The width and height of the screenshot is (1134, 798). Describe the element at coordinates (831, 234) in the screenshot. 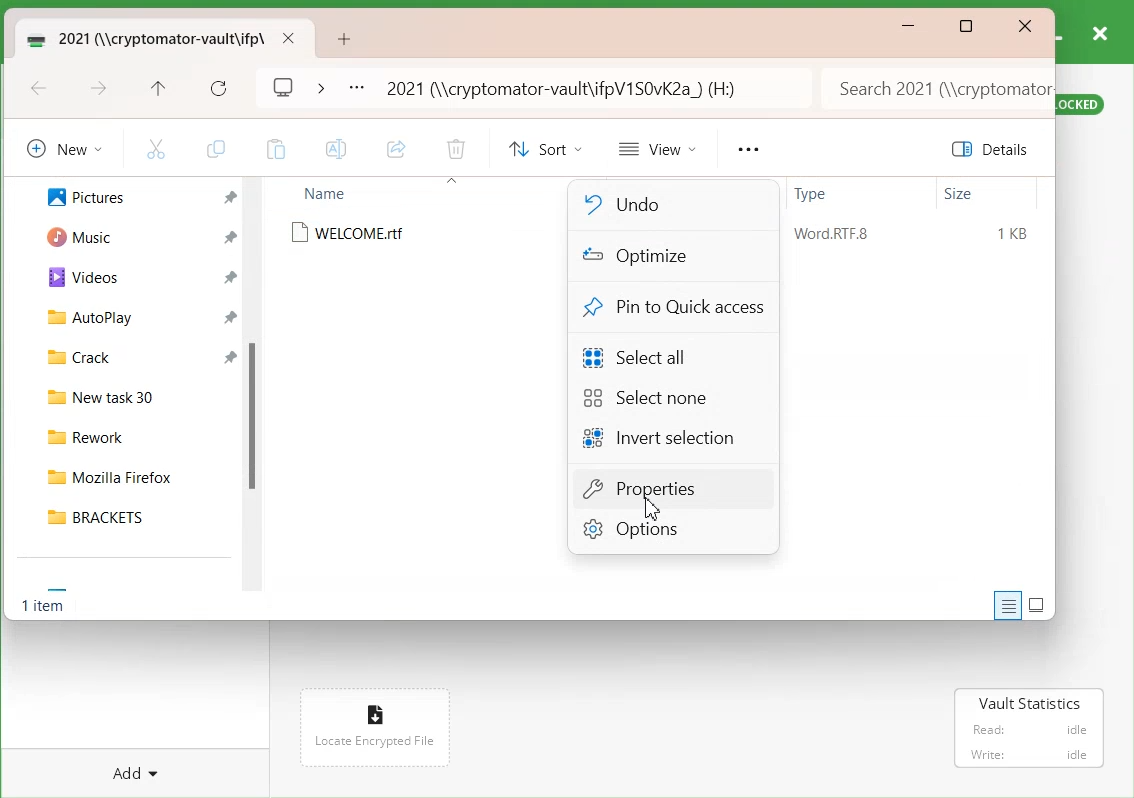

I see `Word RTF 8` at that location.